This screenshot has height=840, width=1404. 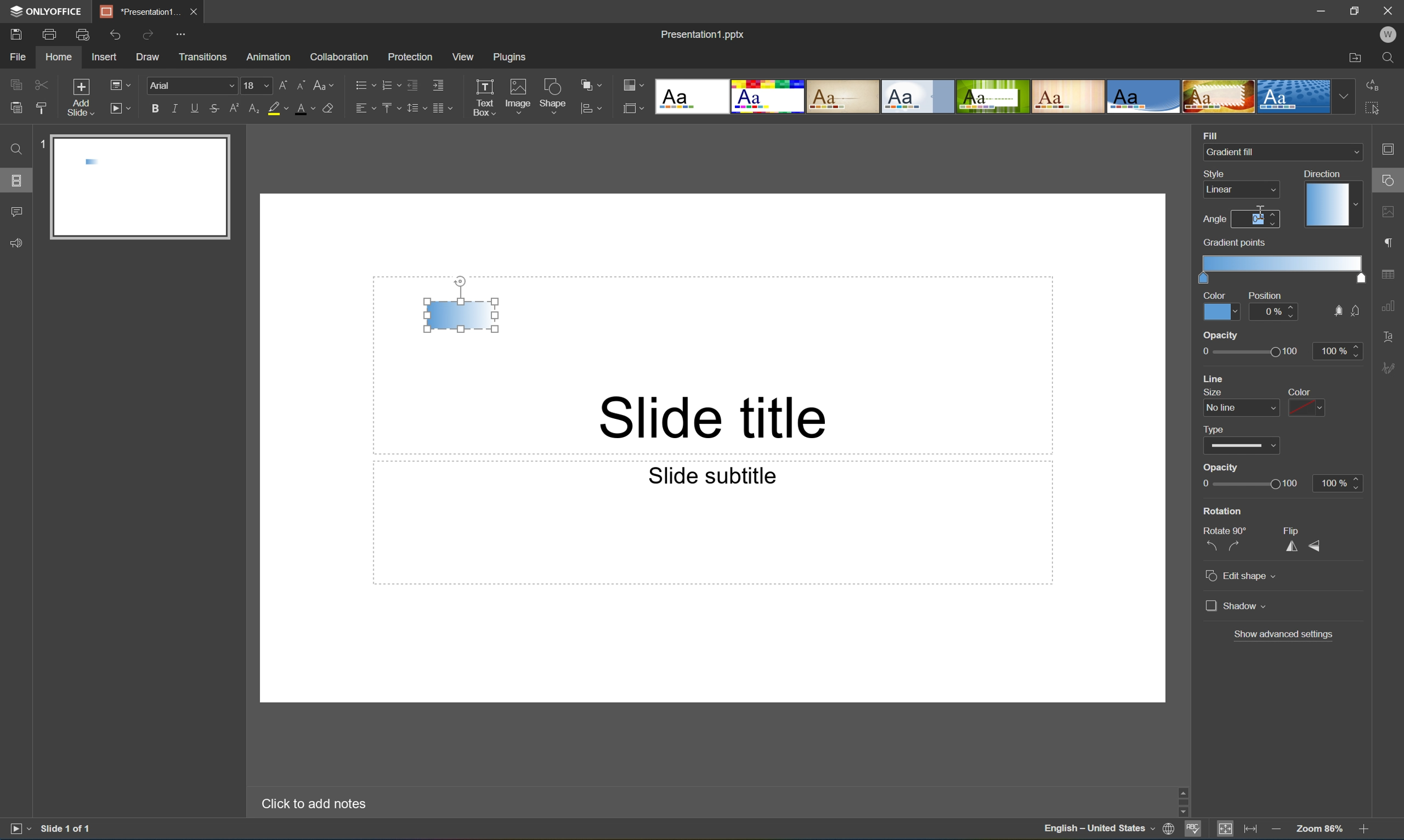 What do you see at coordinates (1275, 311) in the screenshot?
I see `0%` at bounding box center [1275, 311].